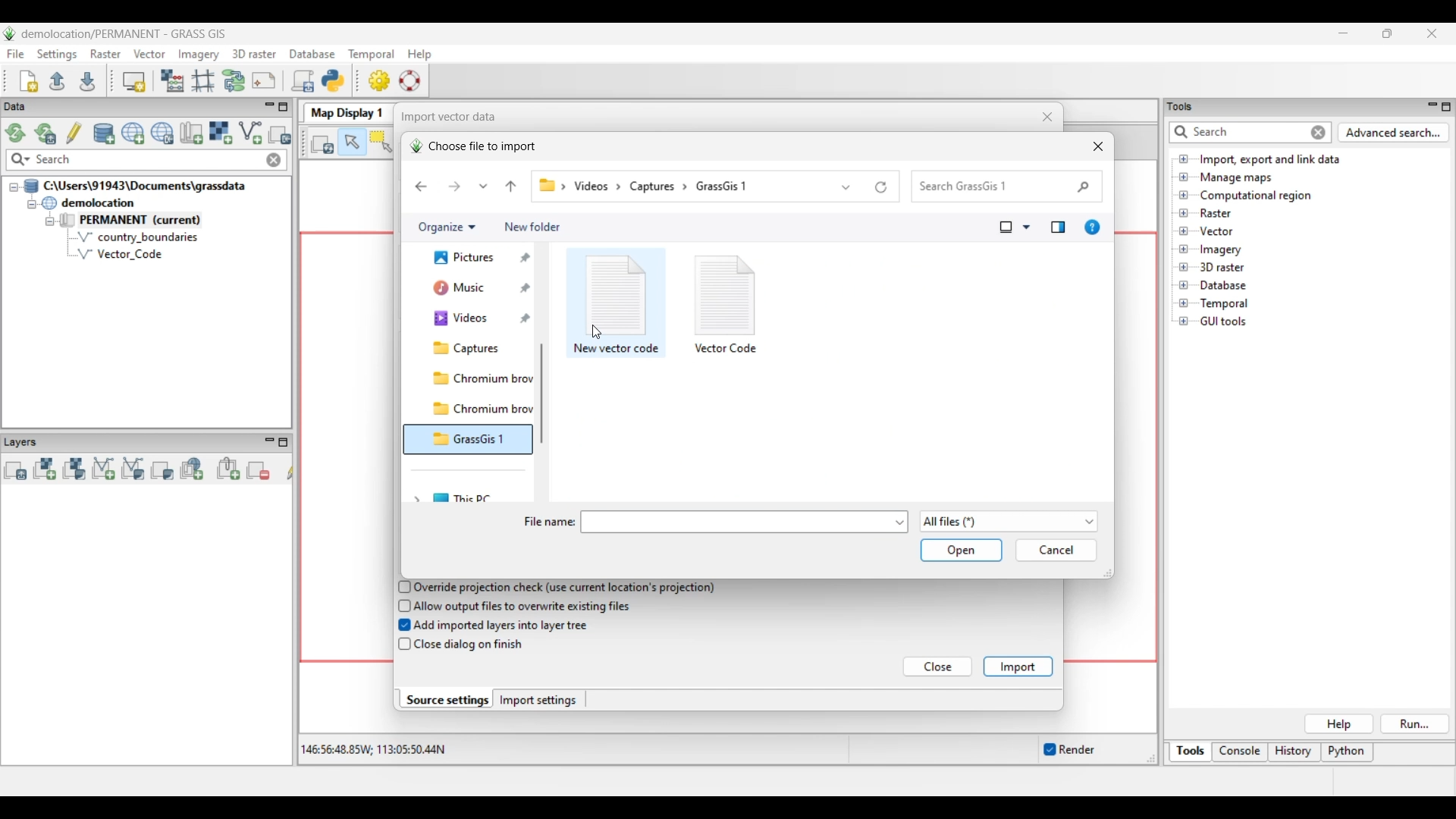 This screenshot has height=819, width=1456. What do you see at coordinates (264, 81) in the screenshot?
I see `Cartographic composer` at bounding box center [264, 81].